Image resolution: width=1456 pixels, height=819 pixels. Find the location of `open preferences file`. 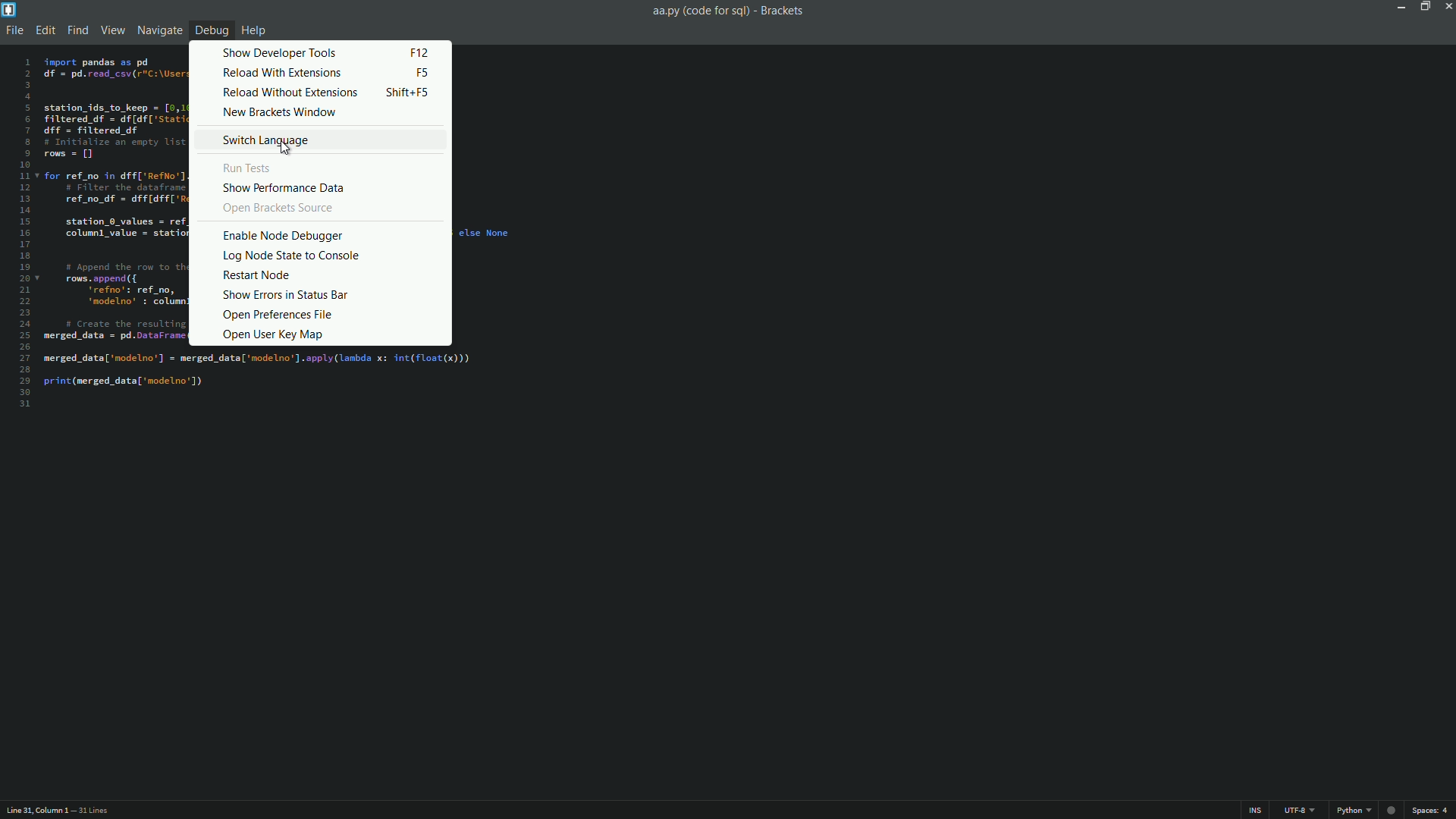

open preferences file is located at coordinates (276, 315).